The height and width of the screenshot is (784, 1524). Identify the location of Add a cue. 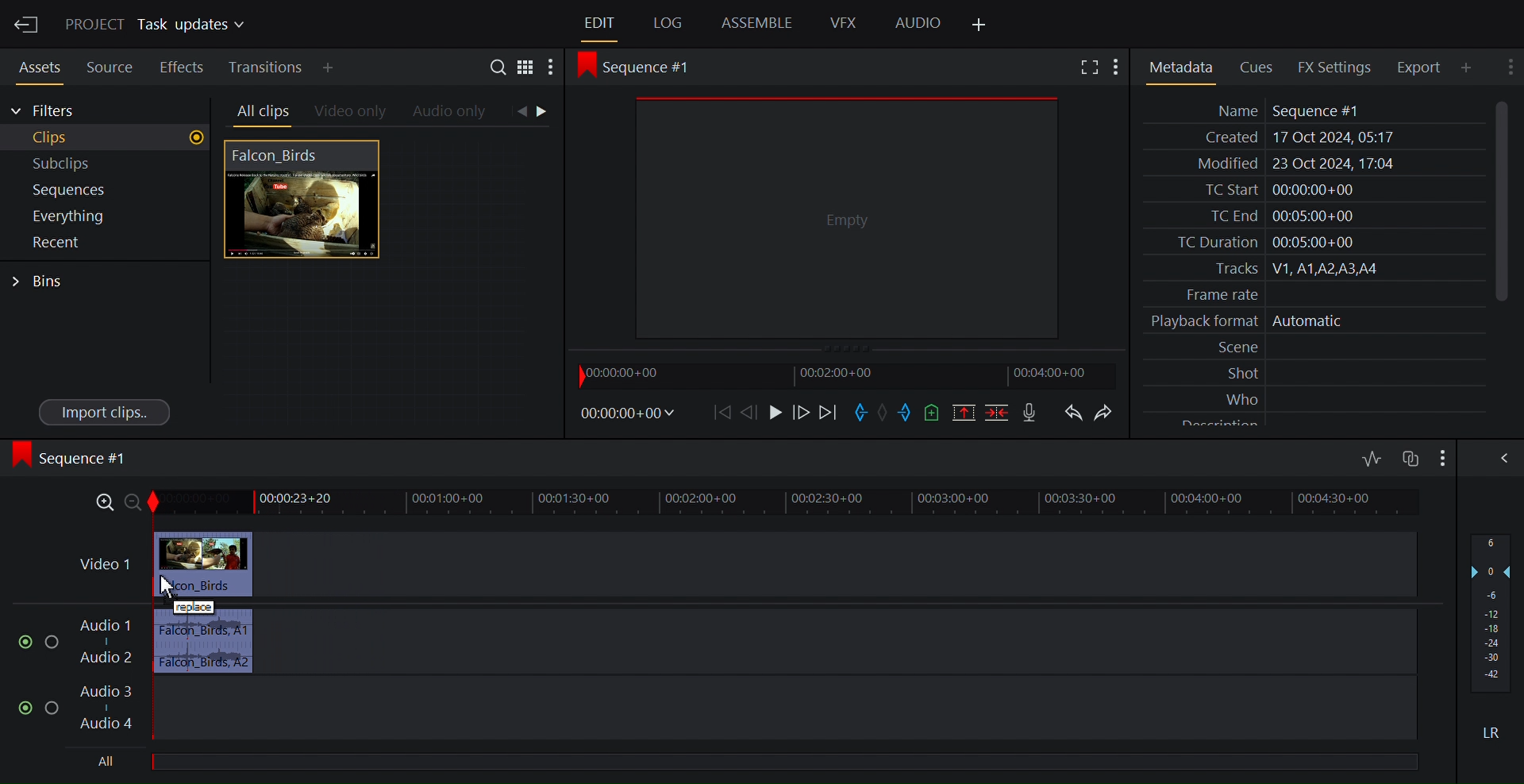
(935, 413).